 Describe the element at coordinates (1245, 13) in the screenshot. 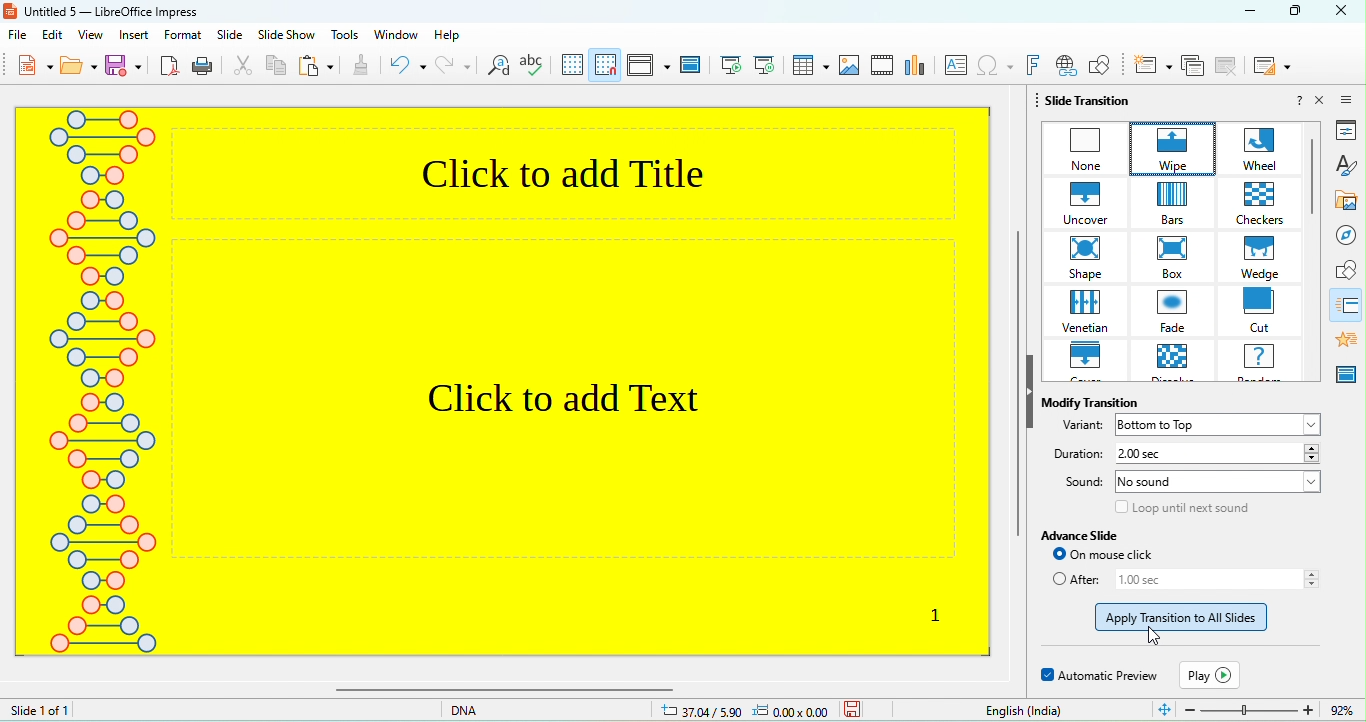

I see `minimize` at that location.